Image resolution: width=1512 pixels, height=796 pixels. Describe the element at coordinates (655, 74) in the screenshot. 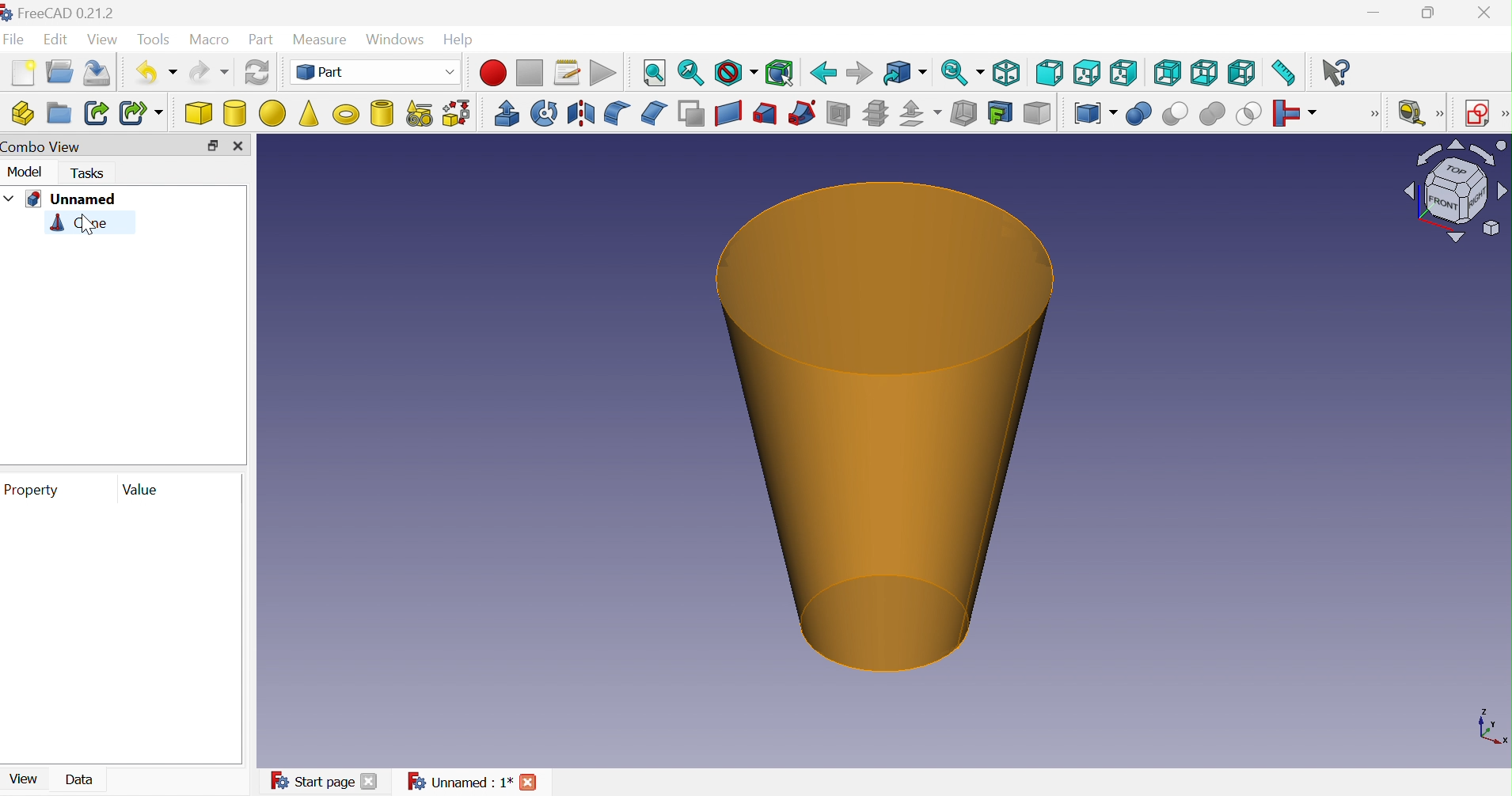

I see `Fit all` at that location.